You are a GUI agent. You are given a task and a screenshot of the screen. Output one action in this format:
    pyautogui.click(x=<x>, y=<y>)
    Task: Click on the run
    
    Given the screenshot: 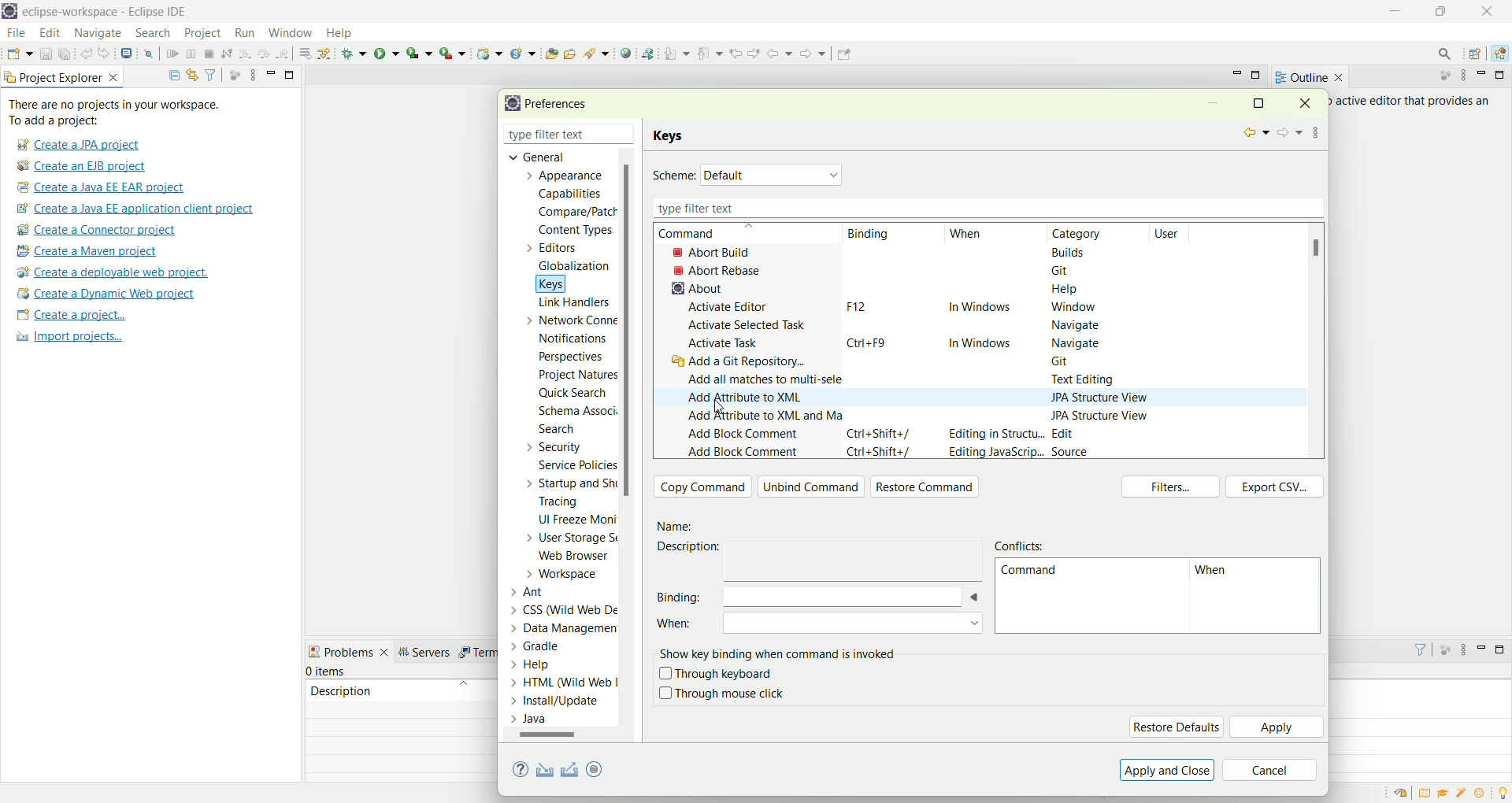 What is the action you would take?
    pyautogui.click(x=387, y=53)
    